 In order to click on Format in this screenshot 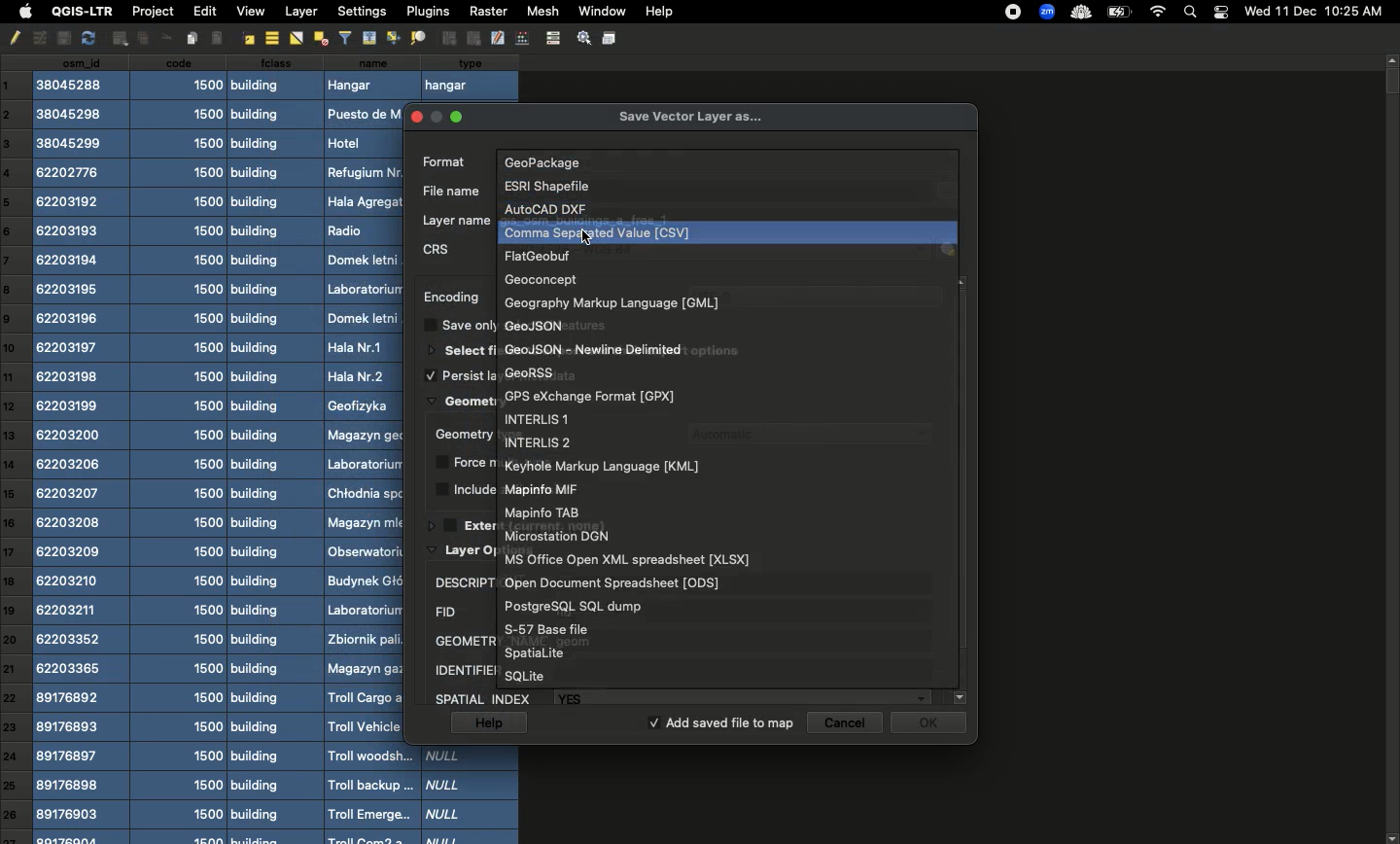, I will do `click(543, 372)`.